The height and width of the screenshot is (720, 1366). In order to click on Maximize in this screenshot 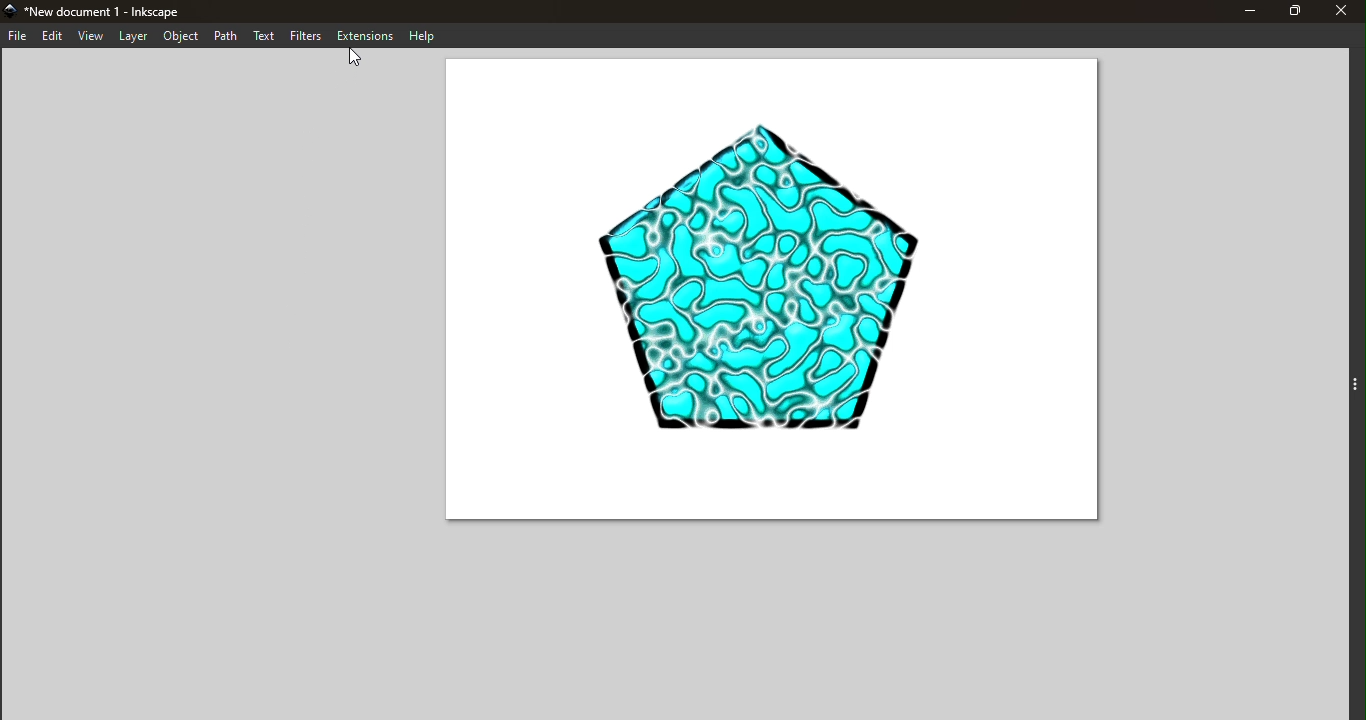, I will do `click(1285, 12)`.